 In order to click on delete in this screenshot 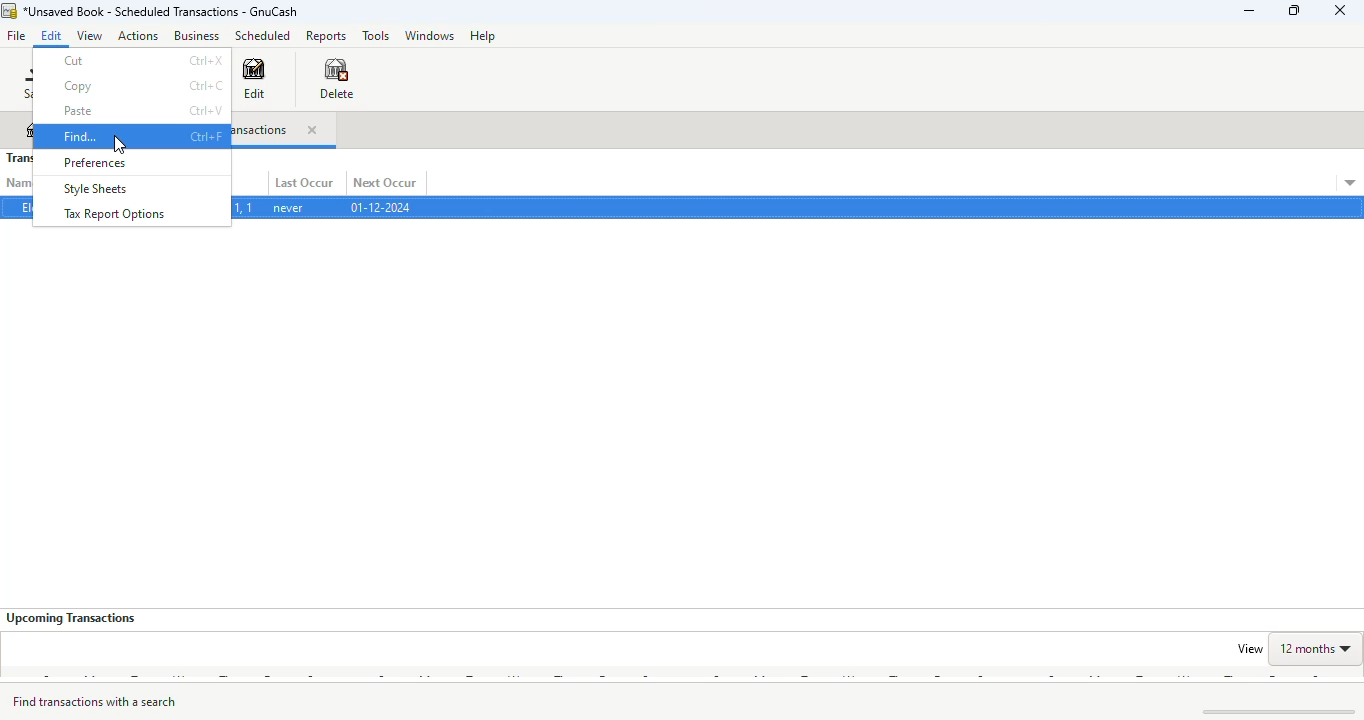, I will do `click(336, 79)`.